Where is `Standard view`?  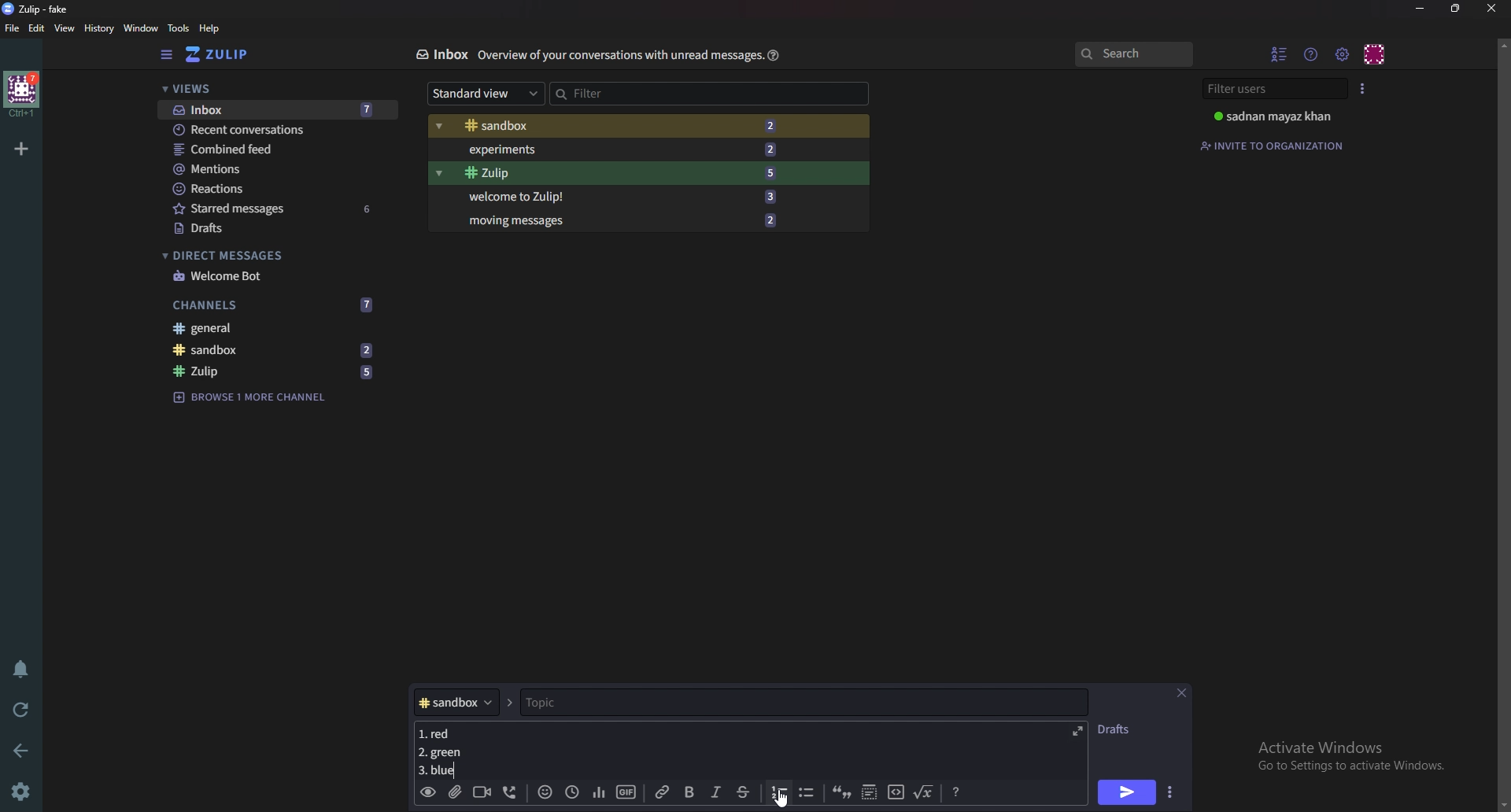
Standard view is located at coordinates (481, 94).